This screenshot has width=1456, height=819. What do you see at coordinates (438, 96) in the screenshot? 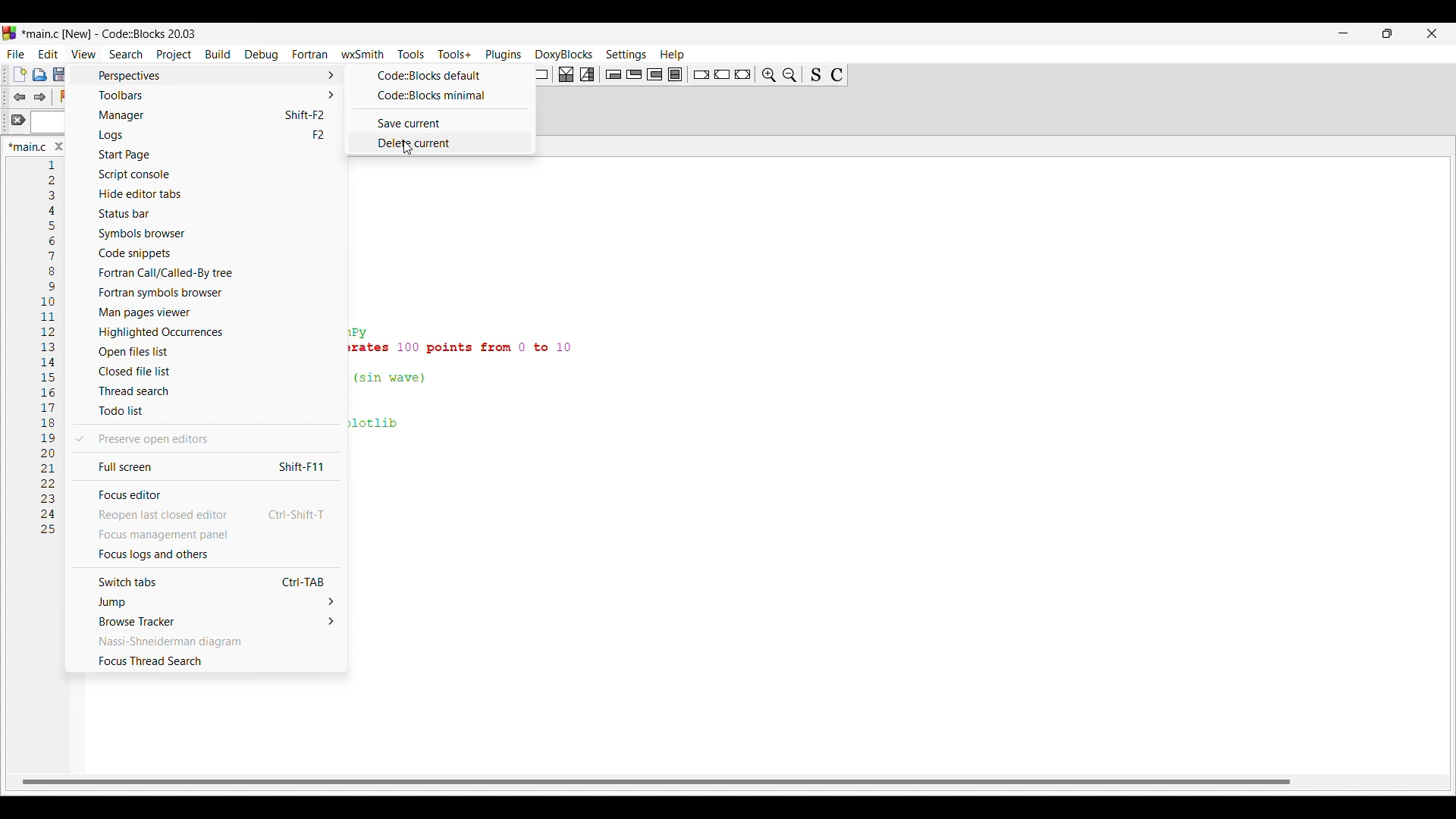
I see `Minimal view` at bounding box center [438, 96].